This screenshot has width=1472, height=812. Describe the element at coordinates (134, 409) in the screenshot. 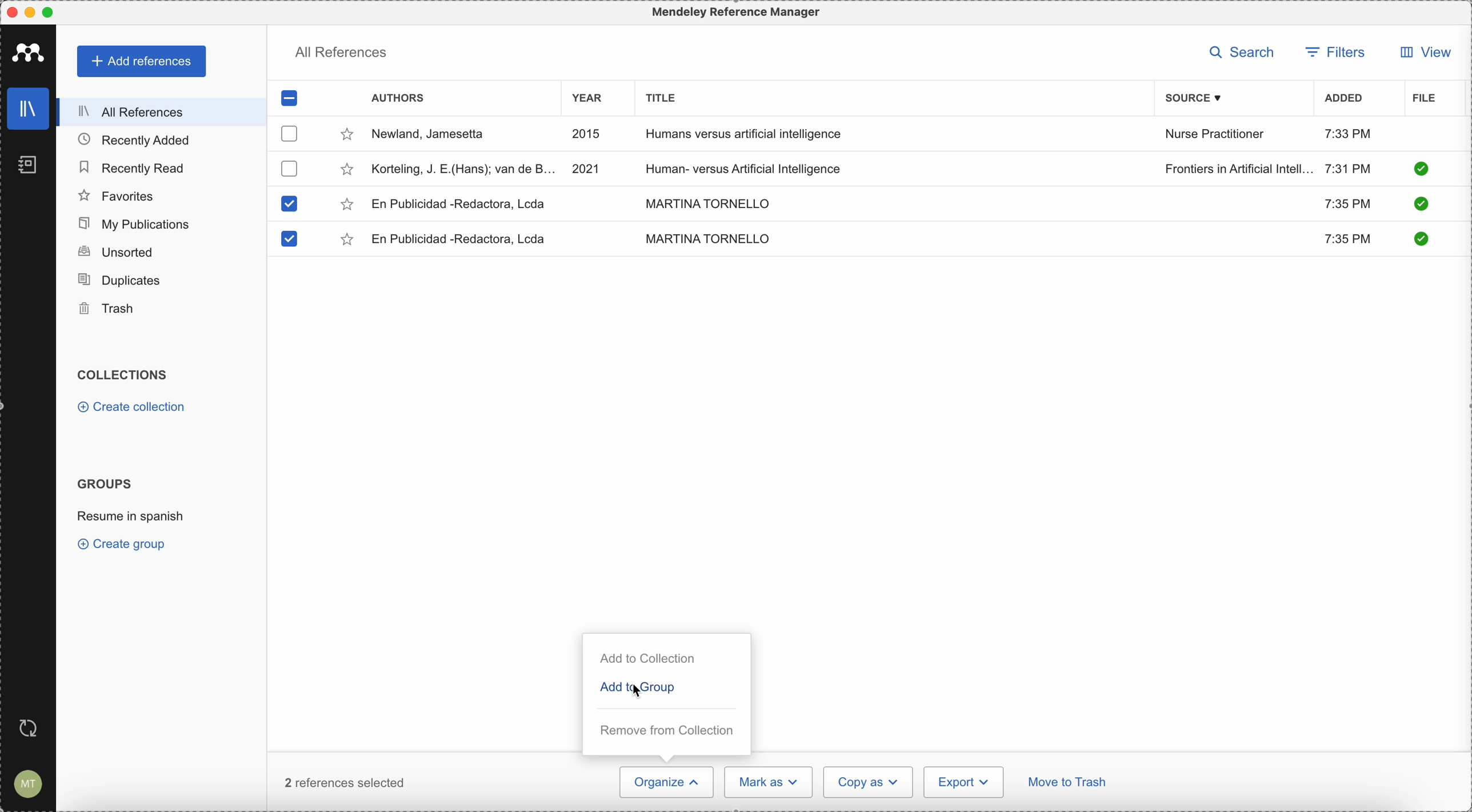

I see `create collection` at that location.